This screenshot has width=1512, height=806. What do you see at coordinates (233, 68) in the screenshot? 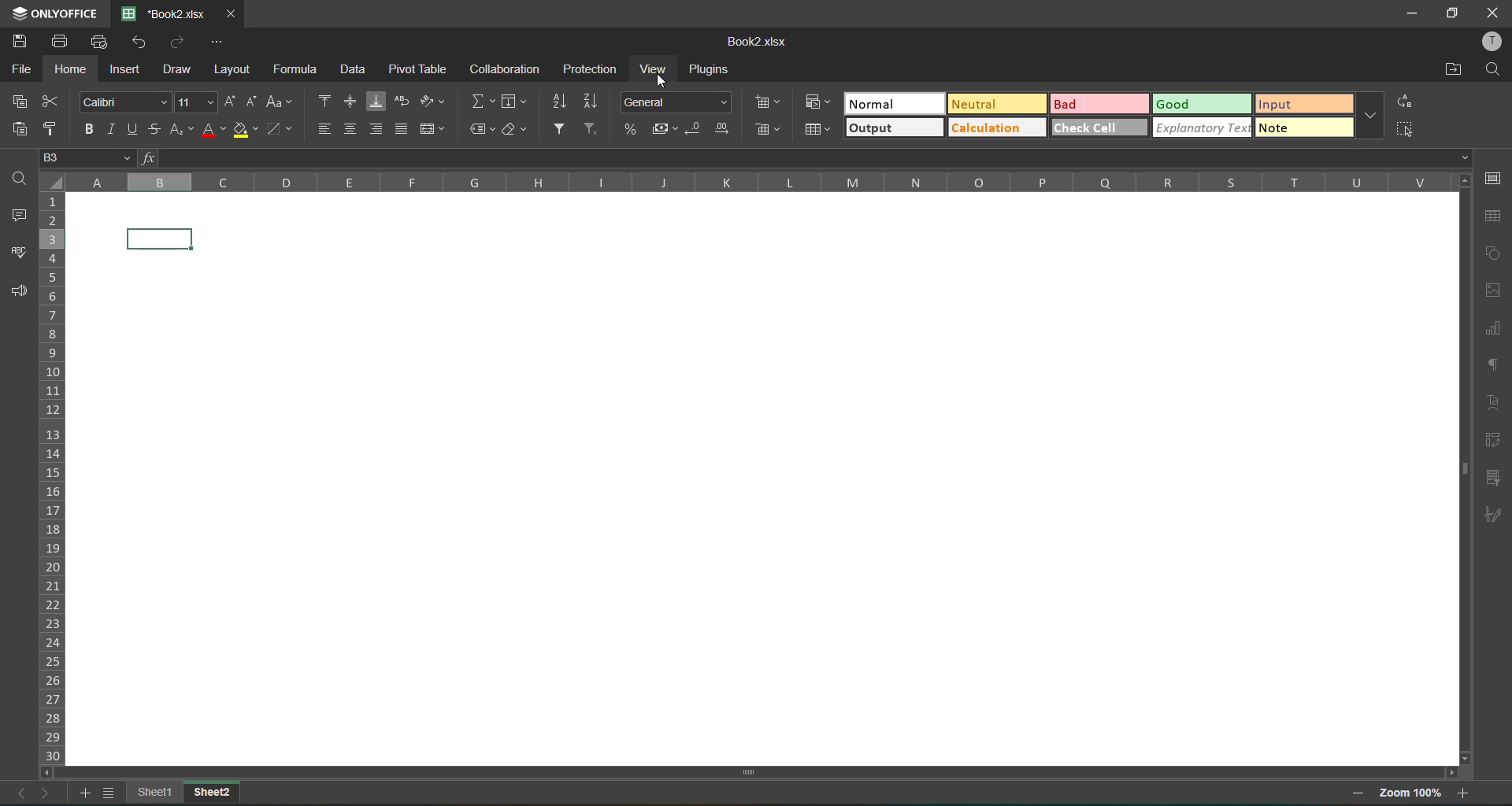
I see `layout` at bounding box center [233, 68].